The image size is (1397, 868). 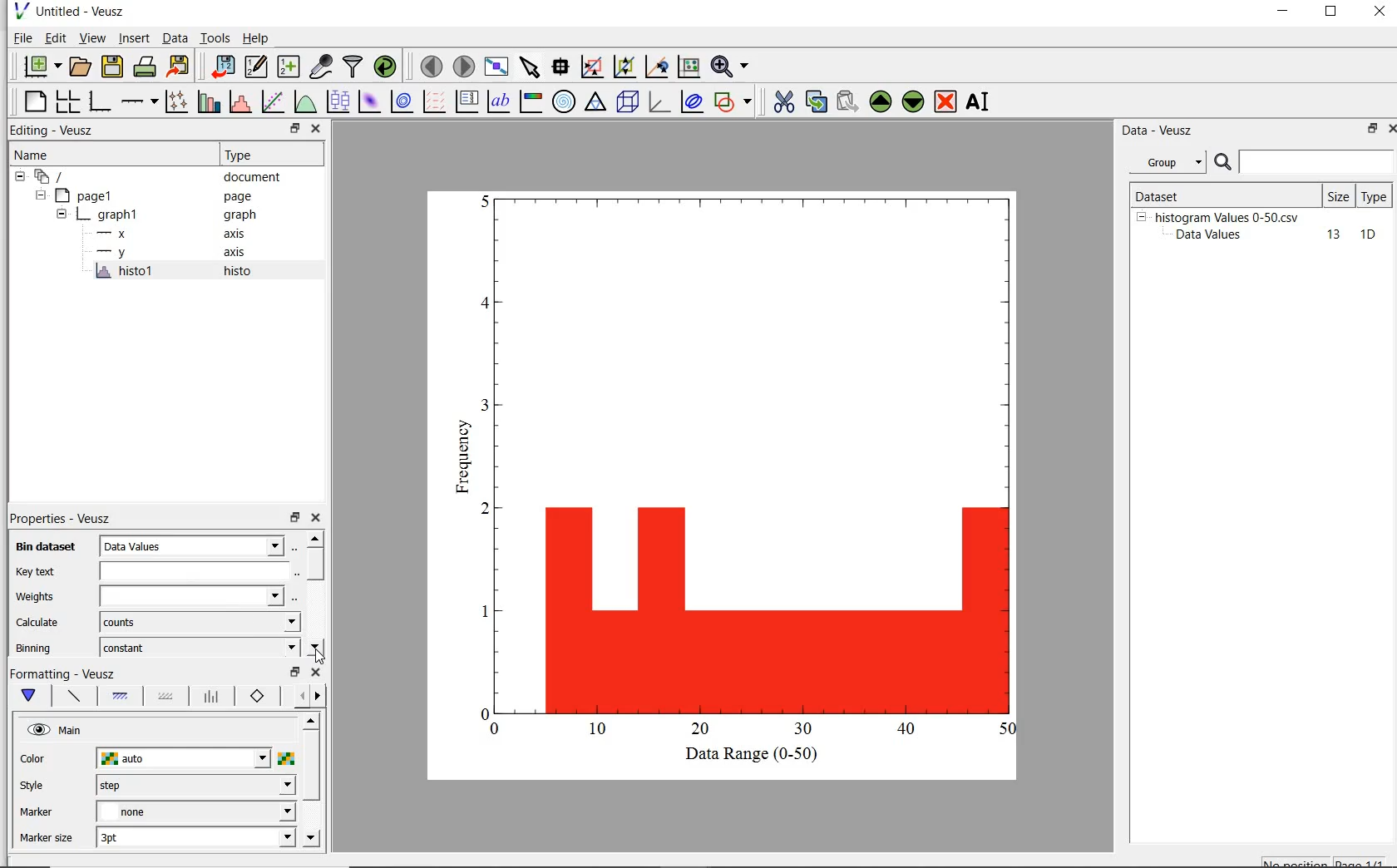 What do you see at coordinates (692, 104) in the screenshot?
I see `plot covariance ellipse` at bounding box center [692, 104].